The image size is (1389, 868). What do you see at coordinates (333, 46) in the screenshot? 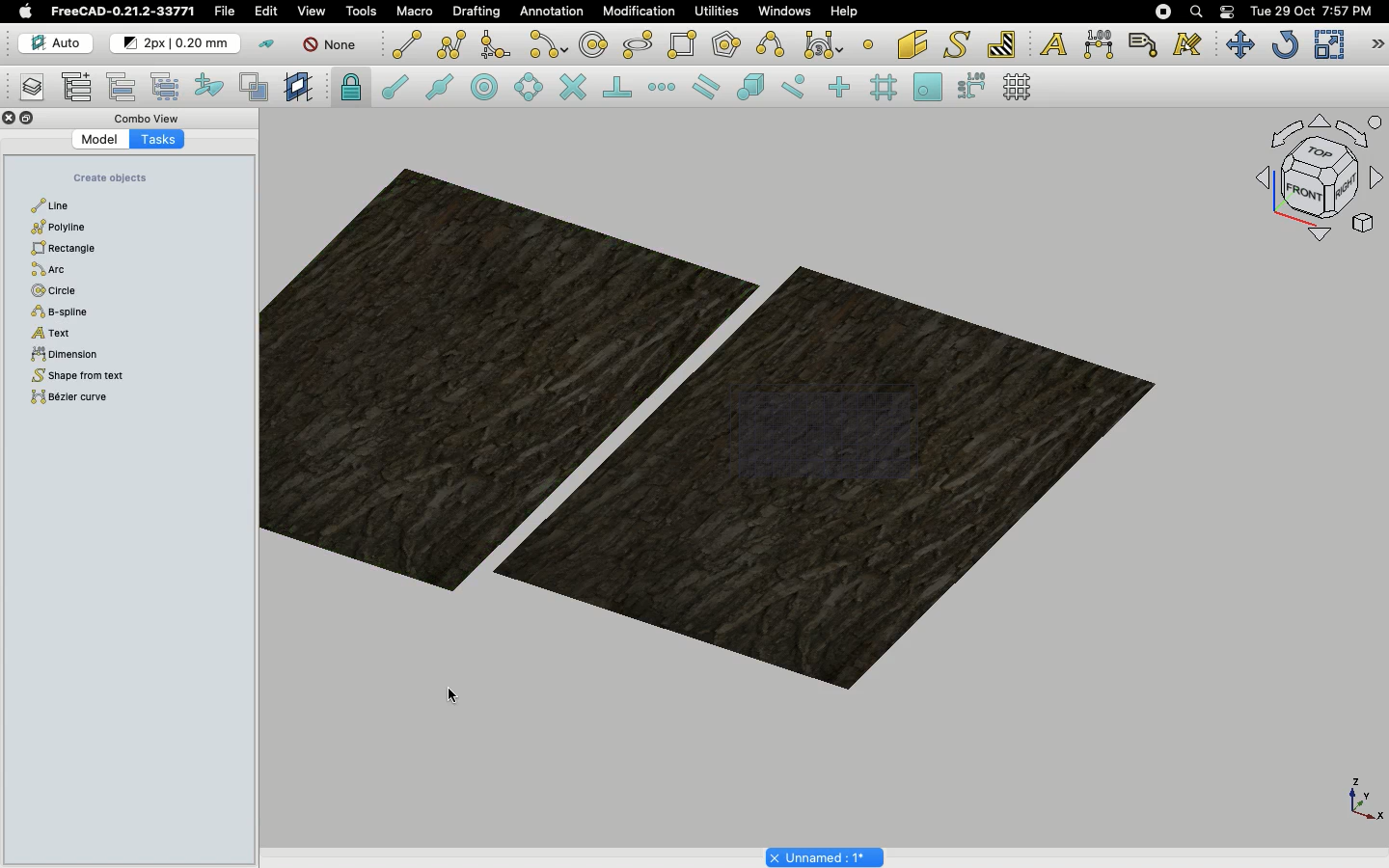
I see `Autogroup off` at bounding box center [333, 46].